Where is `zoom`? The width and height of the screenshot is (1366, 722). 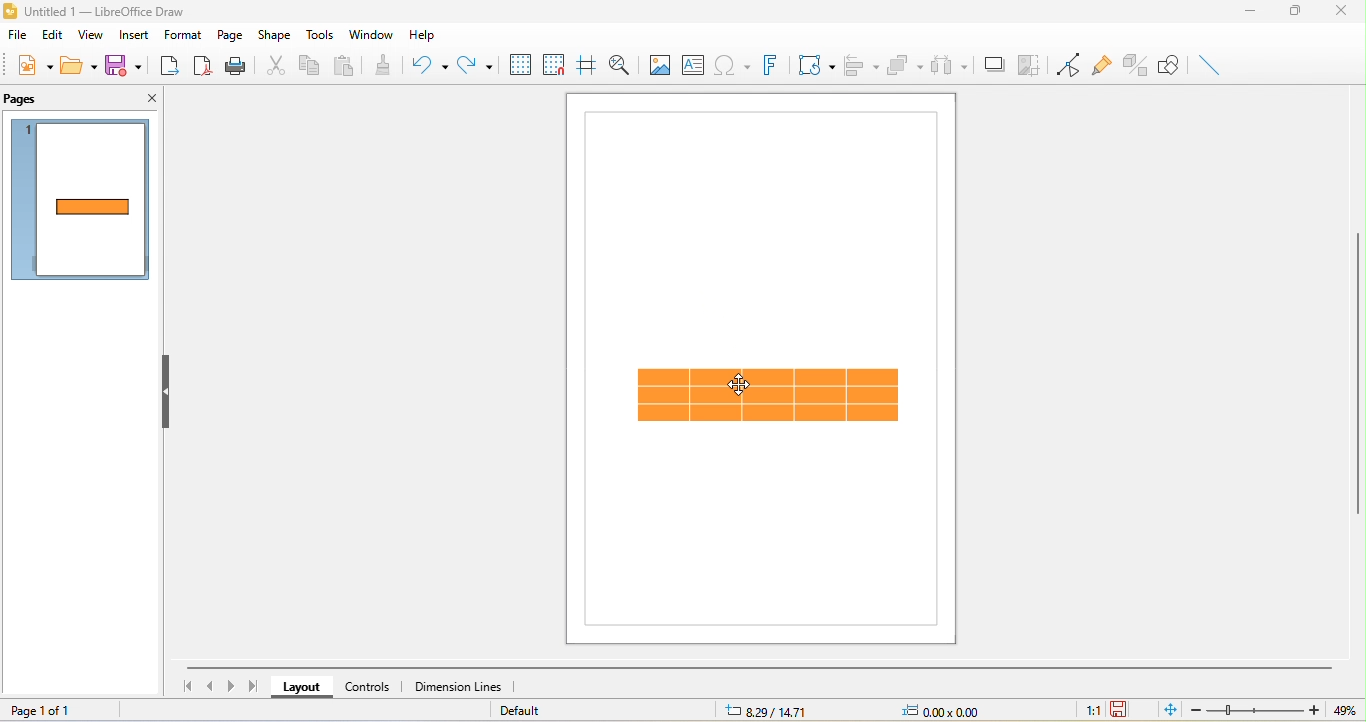 zoom is located at coordinates (1256, 711).